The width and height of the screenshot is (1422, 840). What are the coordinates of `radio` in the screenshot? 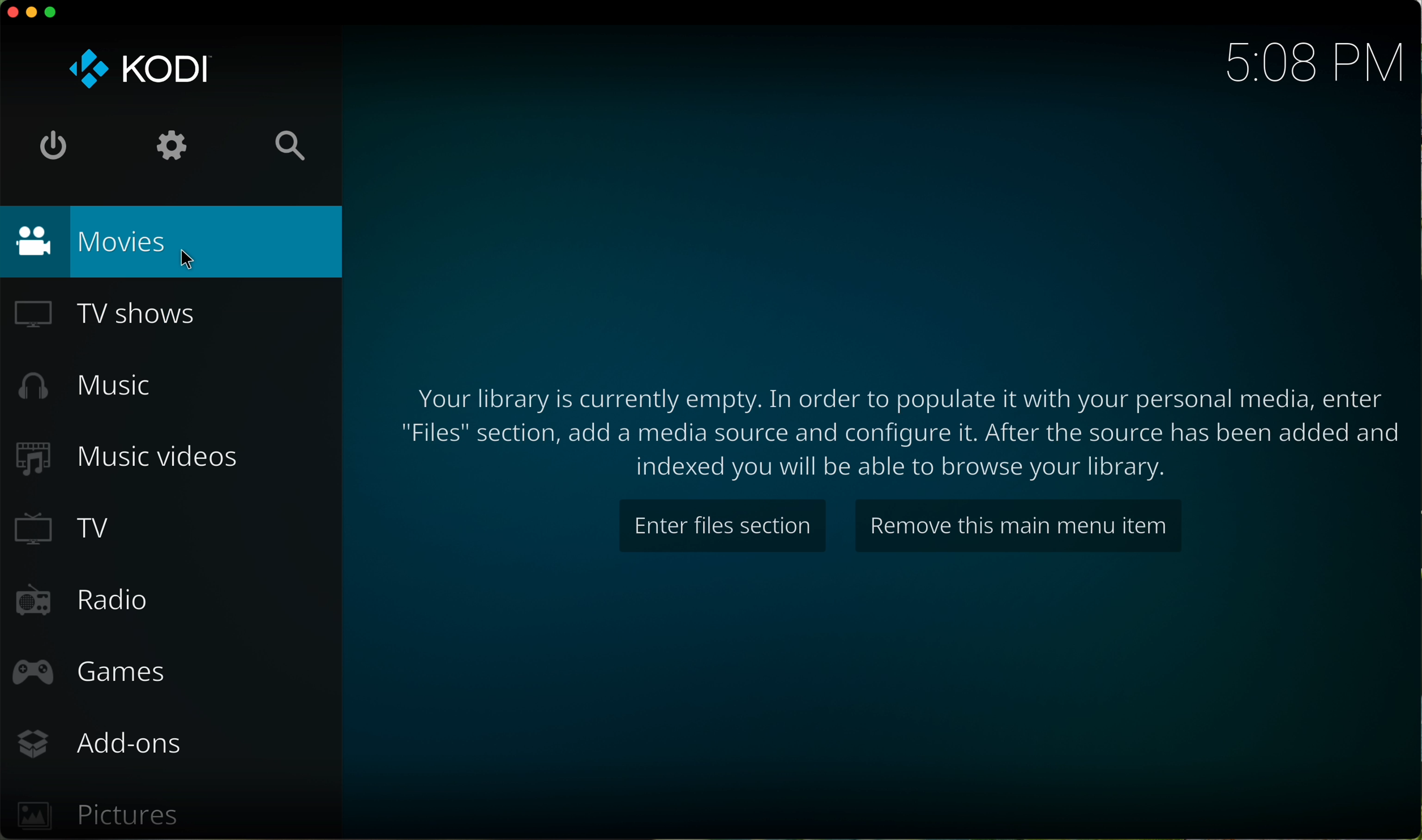 It's located at (86, 600).